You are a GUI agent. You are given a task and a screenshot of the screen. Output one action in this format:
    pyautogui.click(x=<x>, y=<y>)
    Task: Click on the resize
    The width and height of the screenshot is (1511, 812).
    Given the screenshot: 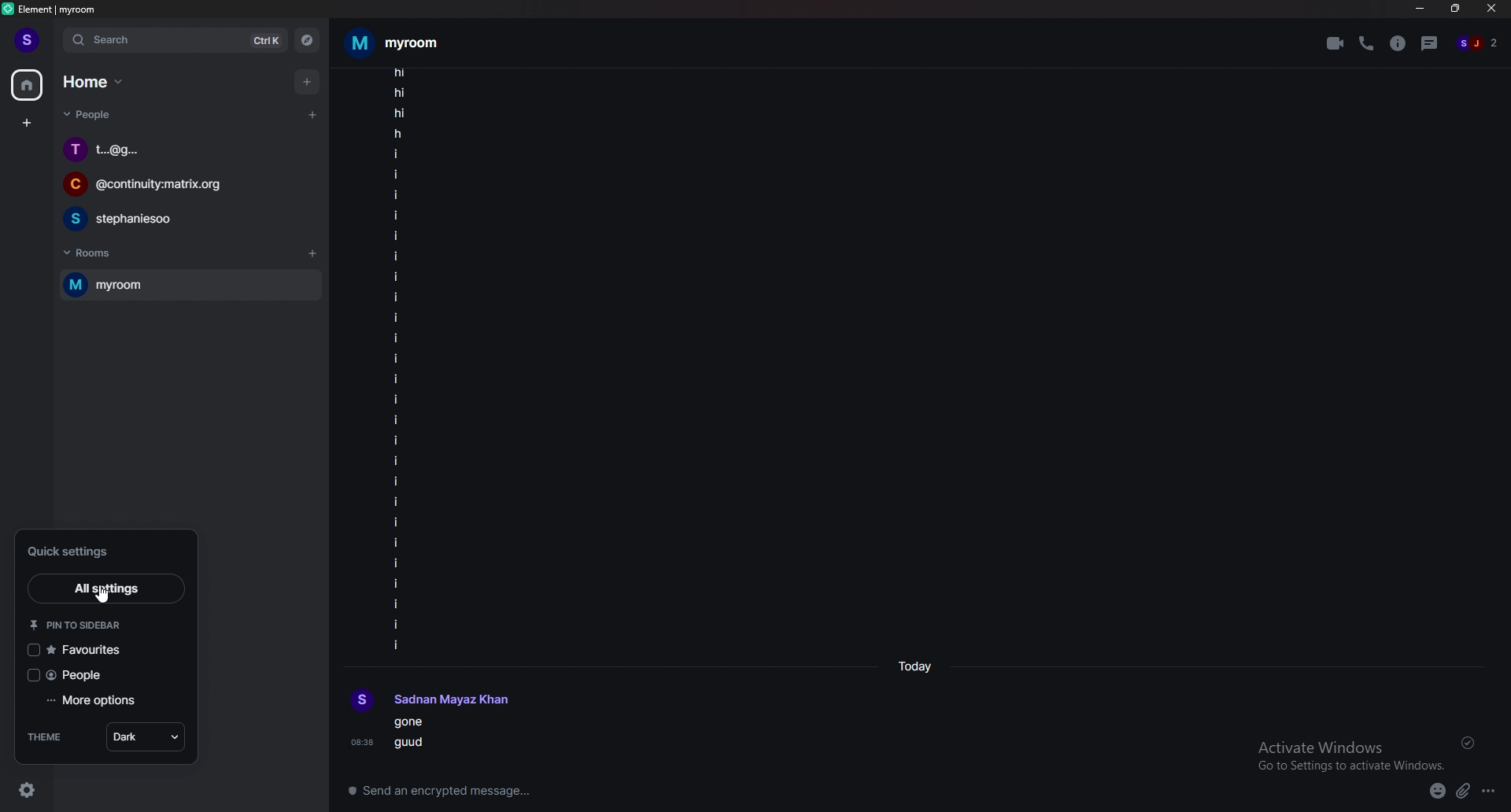 What is the action you would take?
    pyautogui.click(x=1455, y=9)
    